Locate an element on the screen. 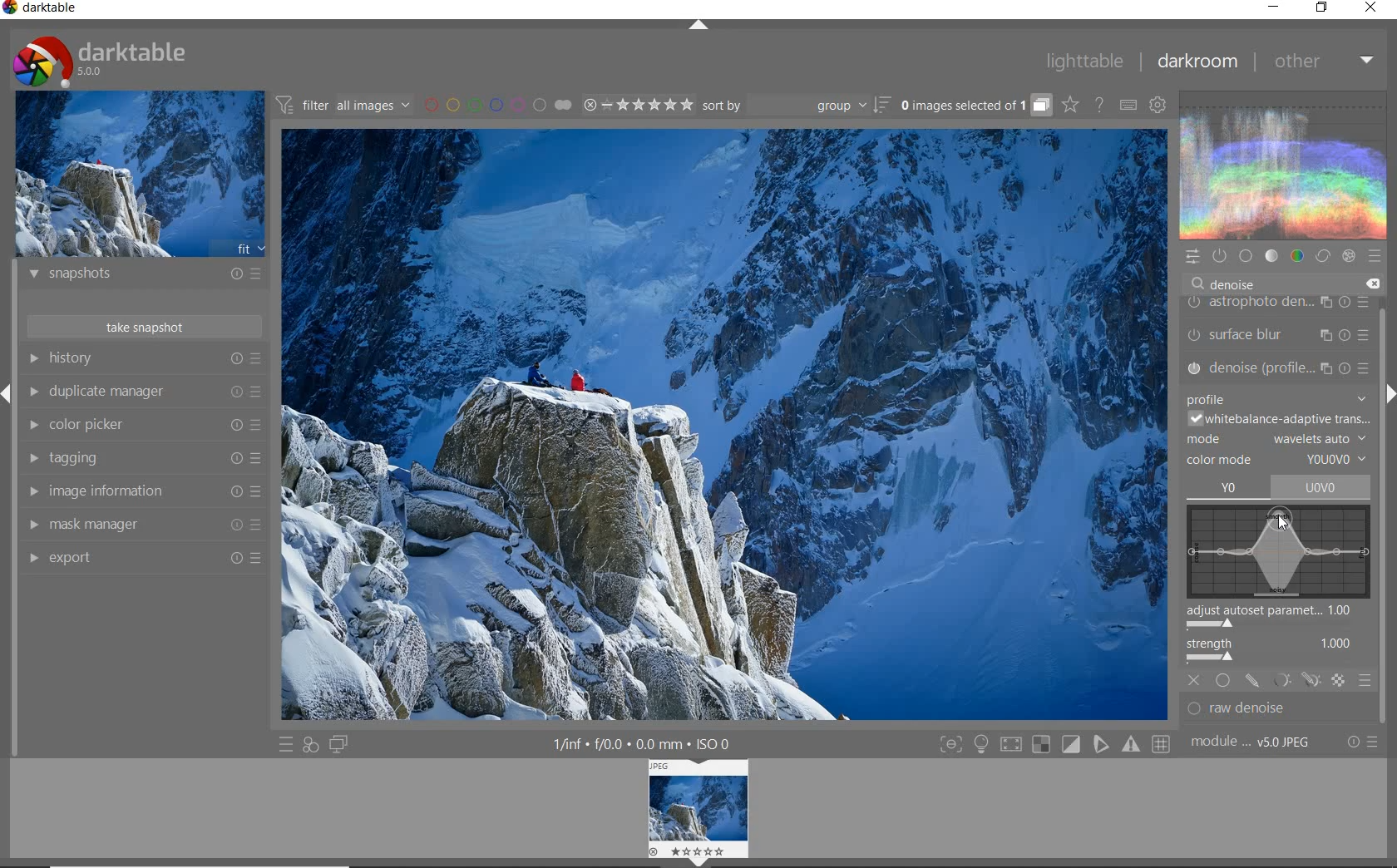 Image resolution: width=1397 pixels, height=868 pixels. CURSOR is located at coordinates (1285, 525).